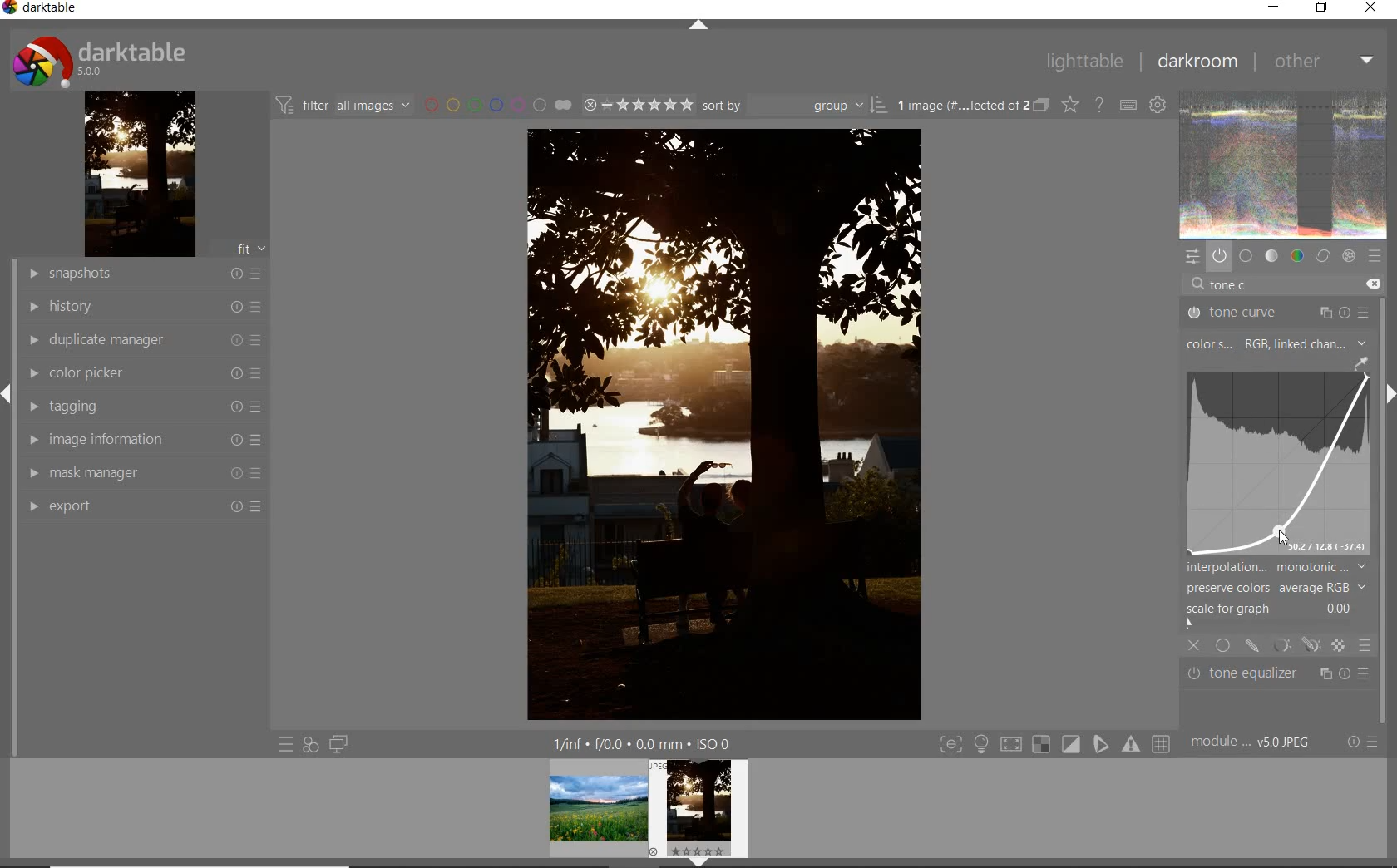 The width and height of the screenshot is (1397, 868). I want to click on INPUT VALUE, so click(1235, 284).